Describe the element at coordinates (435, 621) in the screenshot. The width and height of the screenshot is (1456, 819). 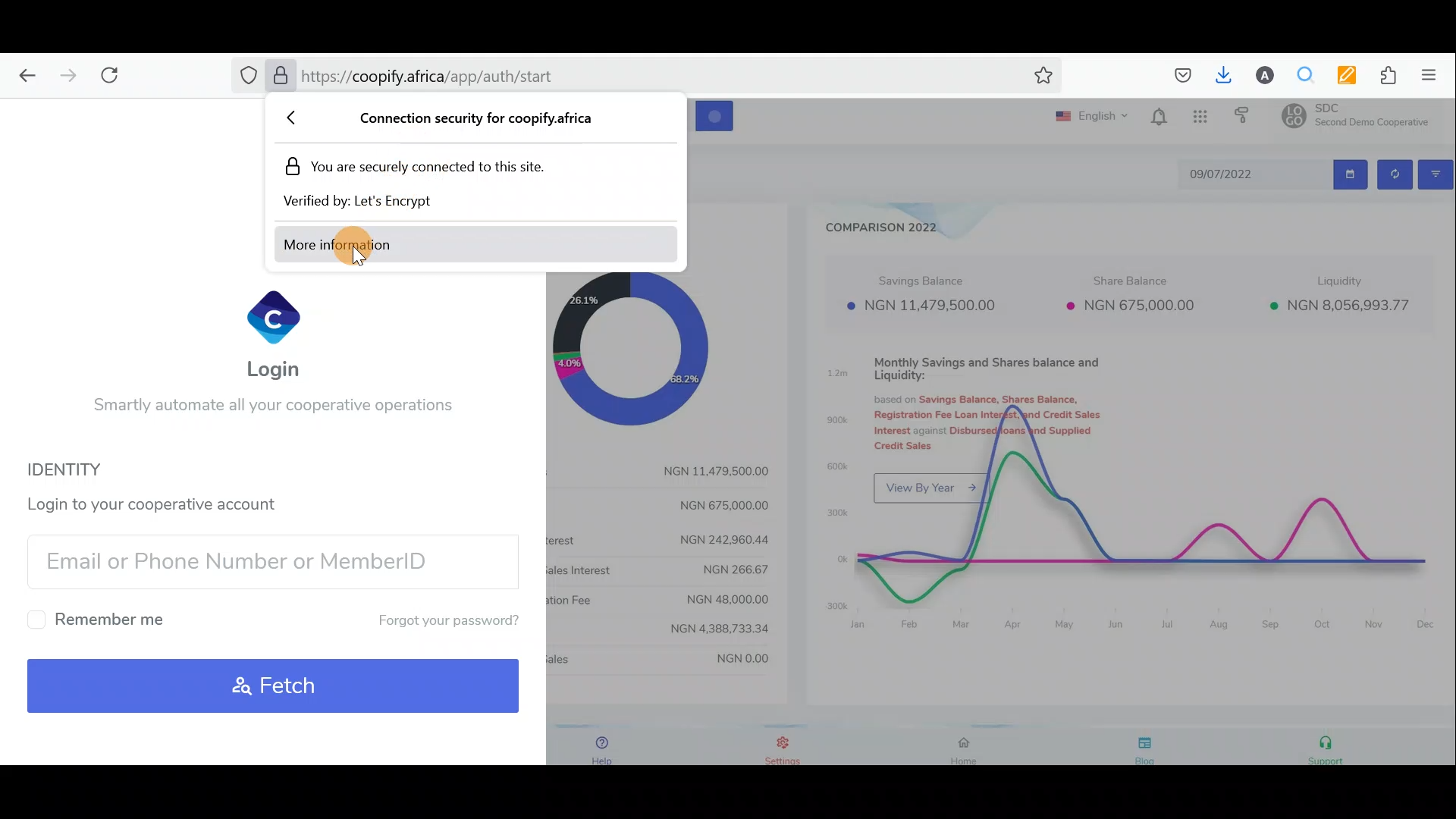
I see `Forgot your password?` at that location.